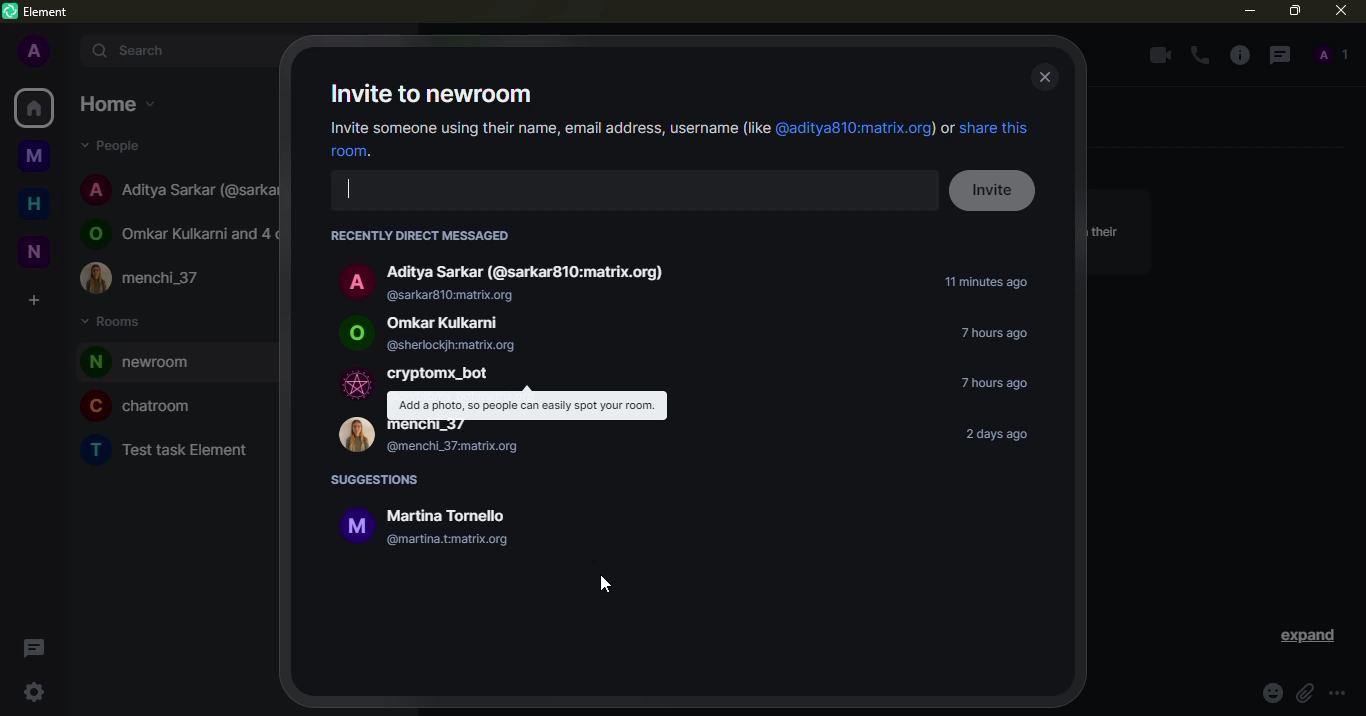  Describe the element at coordinates (1330, 54) in the screenshot. I see `people` at that location.